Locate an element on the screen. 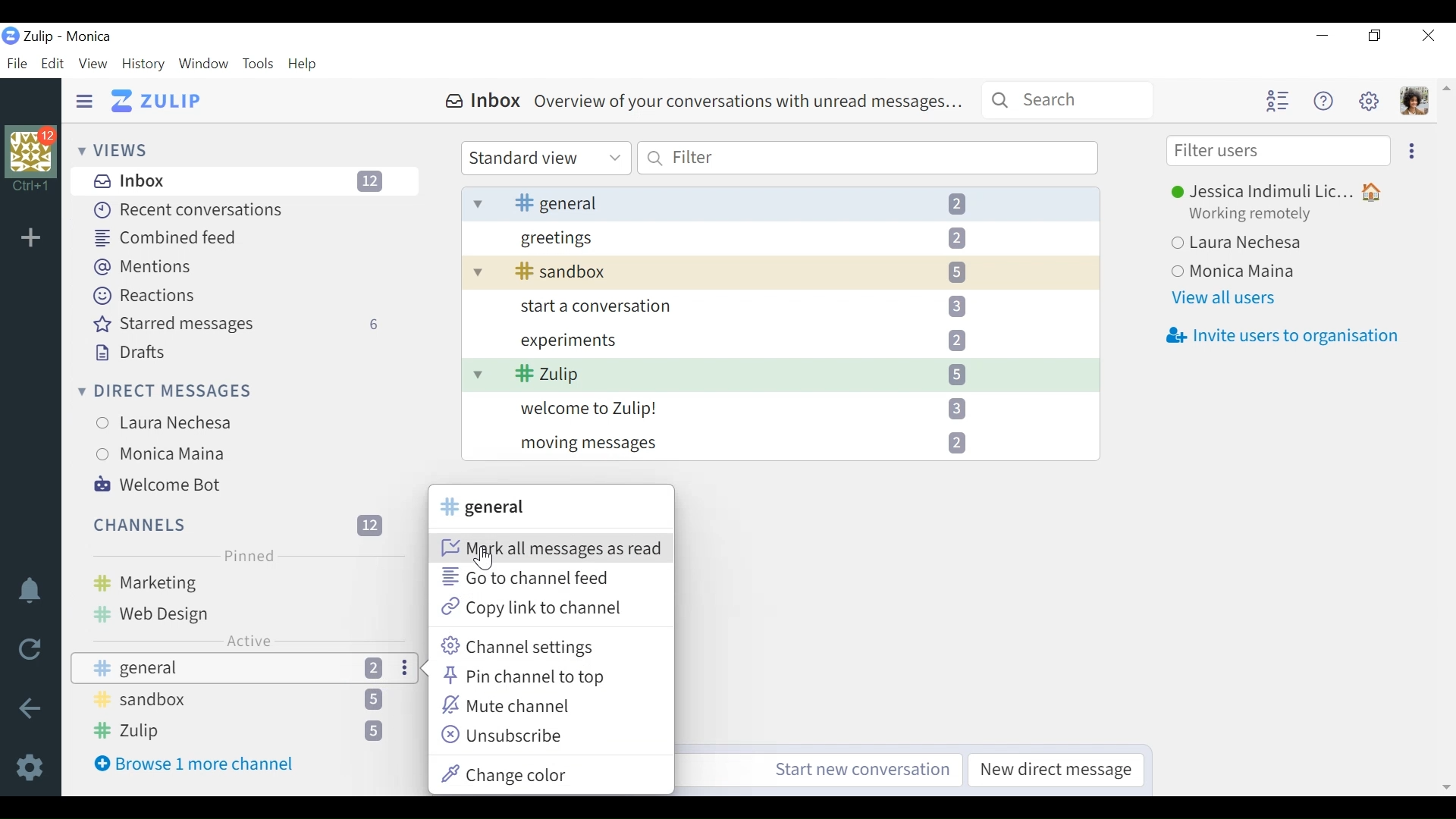 The height and width of the screenshot is (819, 1456). Window is located at coordinates (204, 65).